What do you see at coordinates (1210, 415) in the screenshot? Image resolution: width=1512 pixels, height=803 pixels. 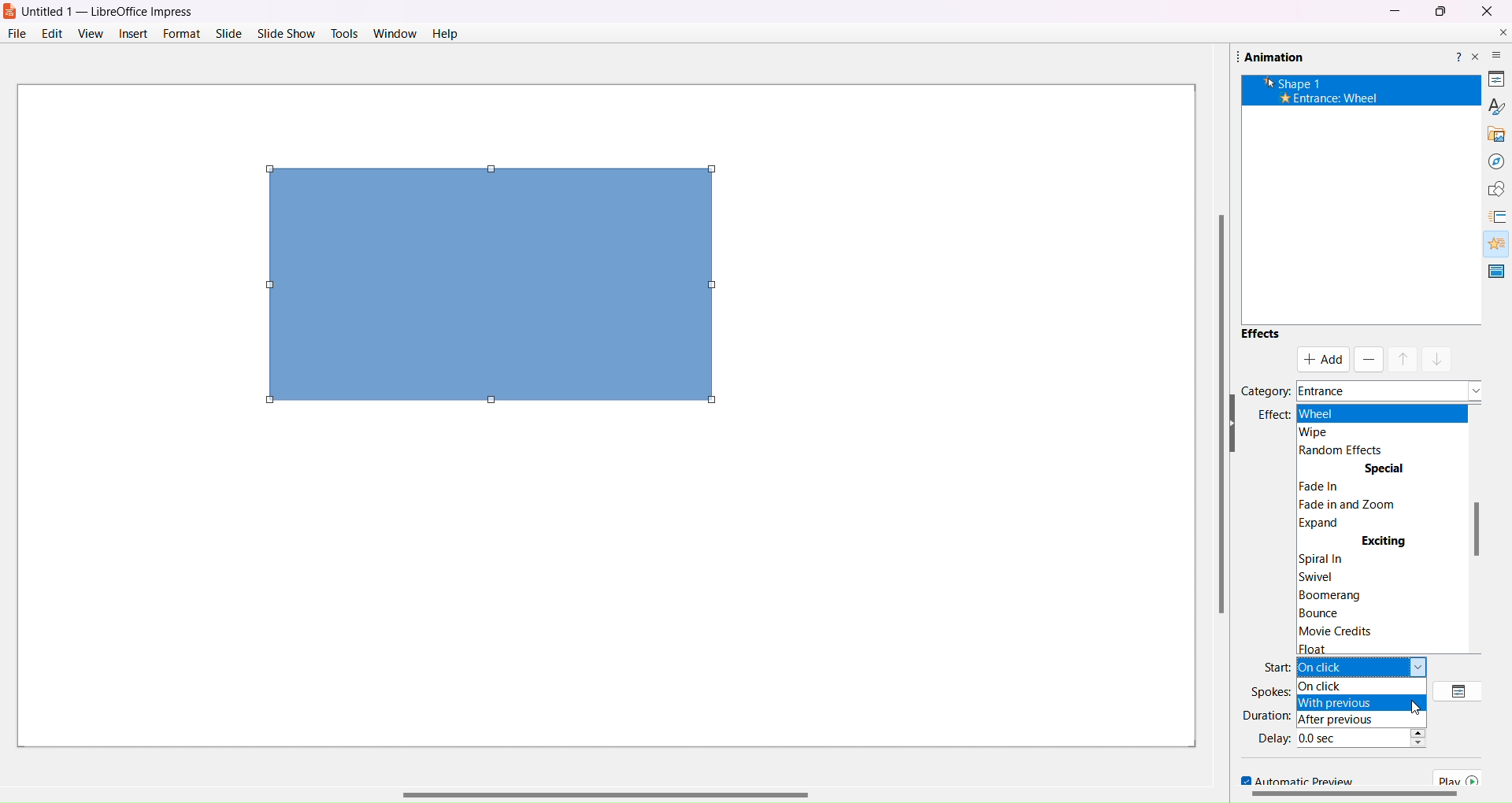 I see `Vertical Scroll Bar` at bounding box center [1210, 415].